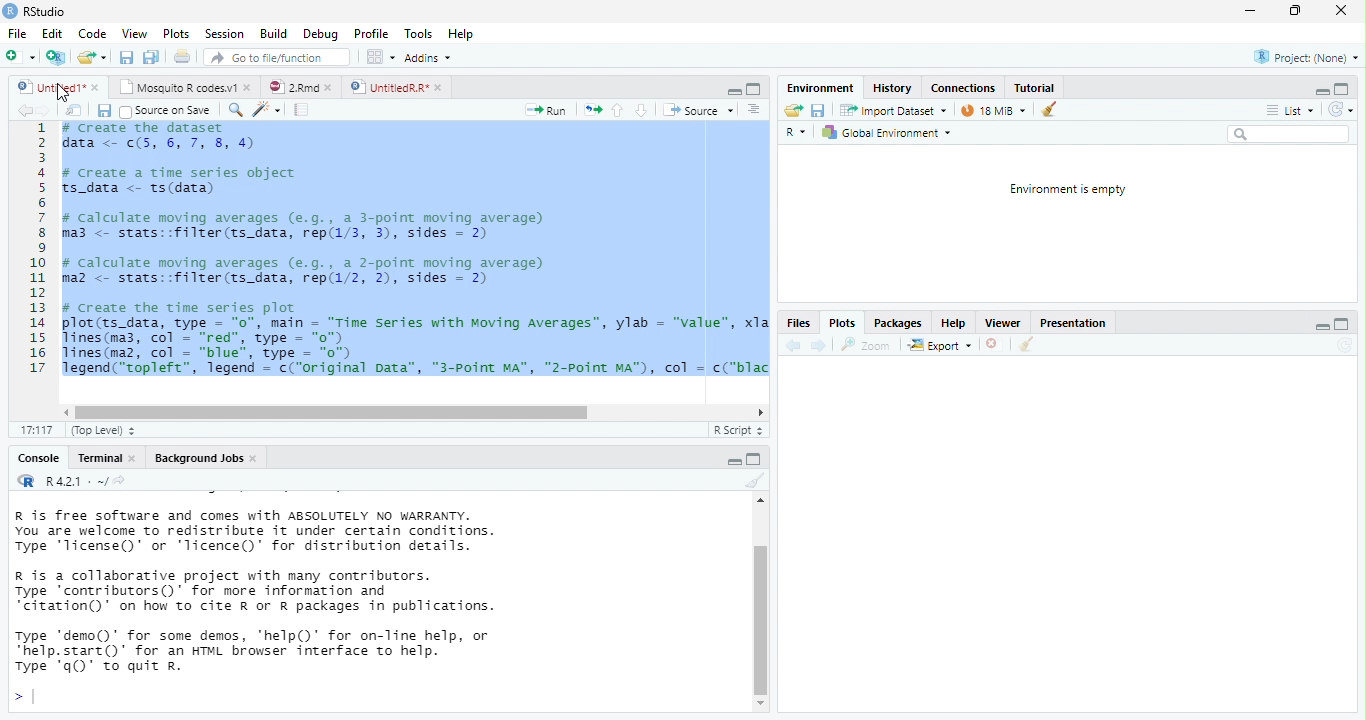  What do you see at coordinates (180, 86) in the screenshot?
I see `Mosquito R codes.v1` at bounding box center [180, 86].